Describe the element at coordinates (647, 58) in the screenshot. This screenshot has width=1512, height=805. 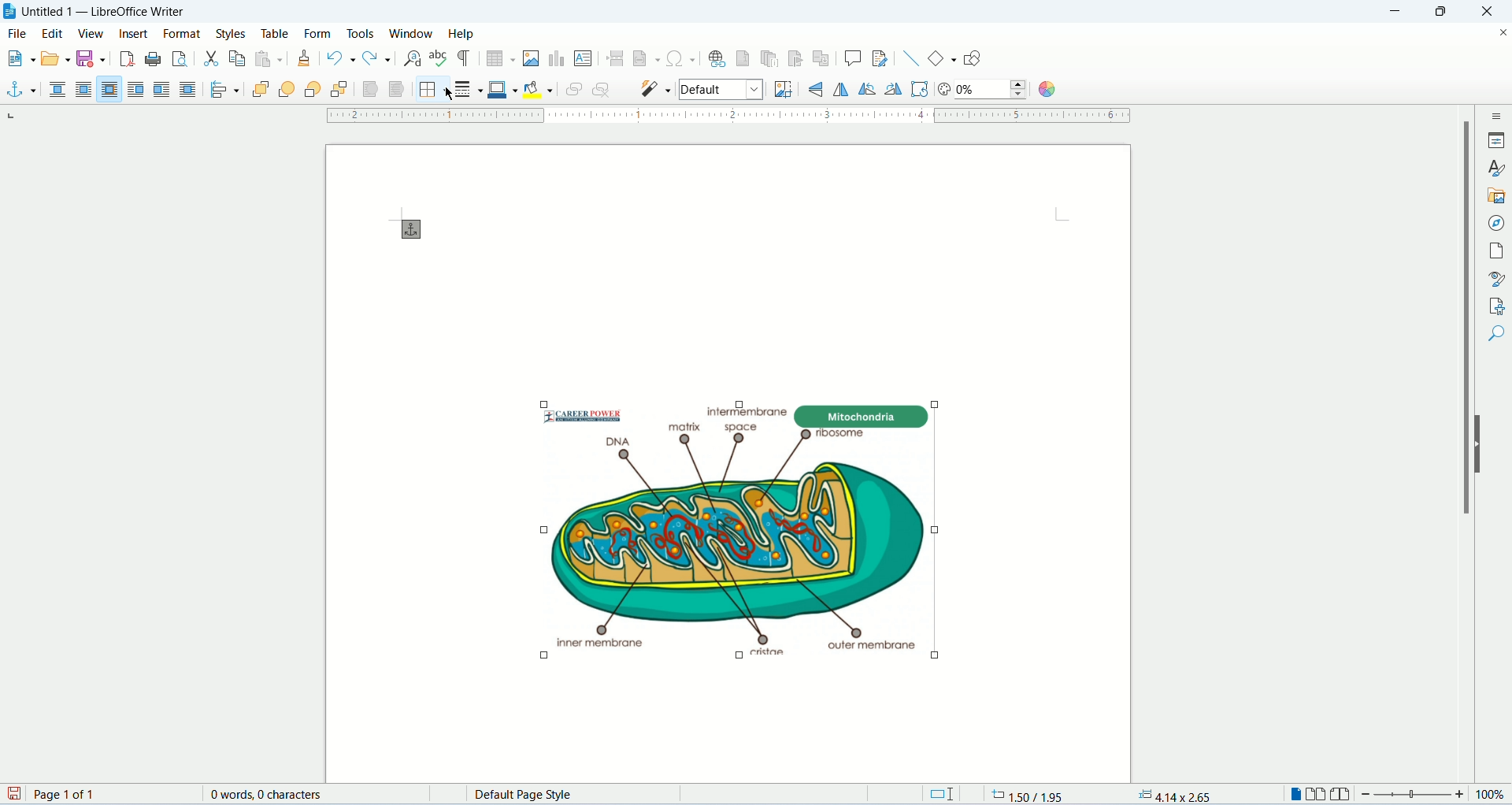
I see `insert field` at that location.